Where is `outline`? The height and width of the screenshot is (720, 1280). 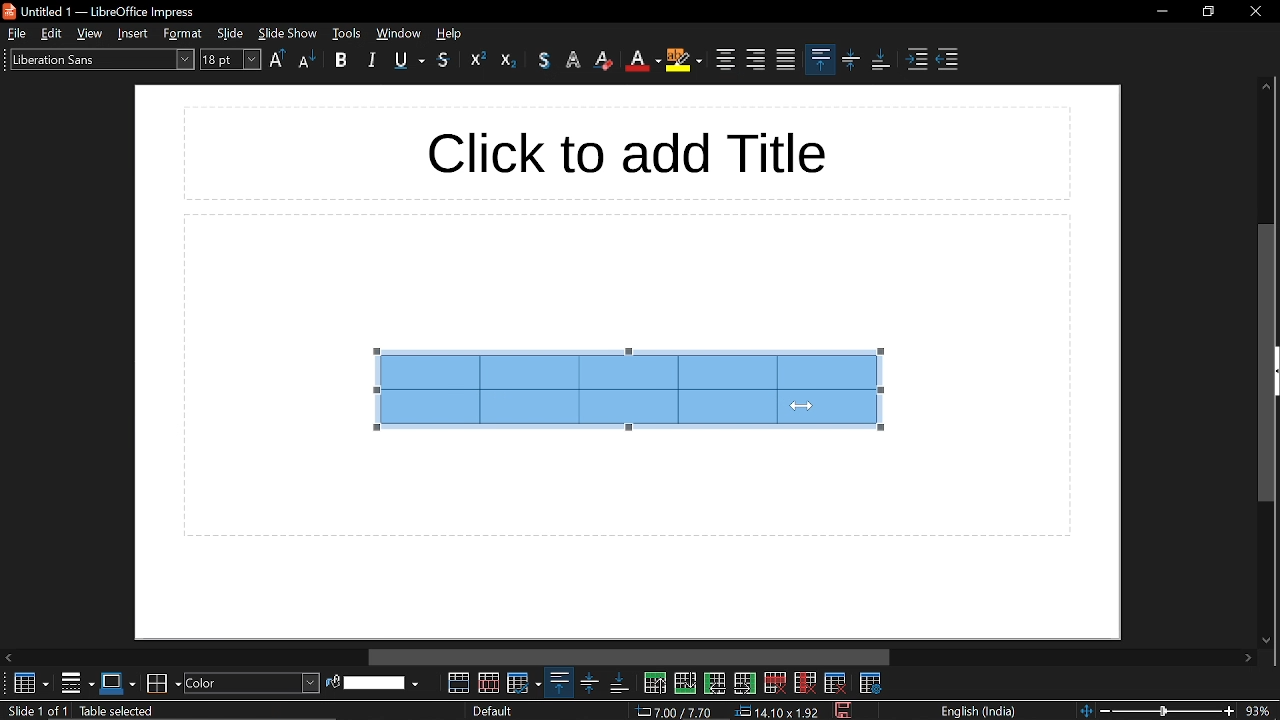
outline is located at coordinates (478, 59).